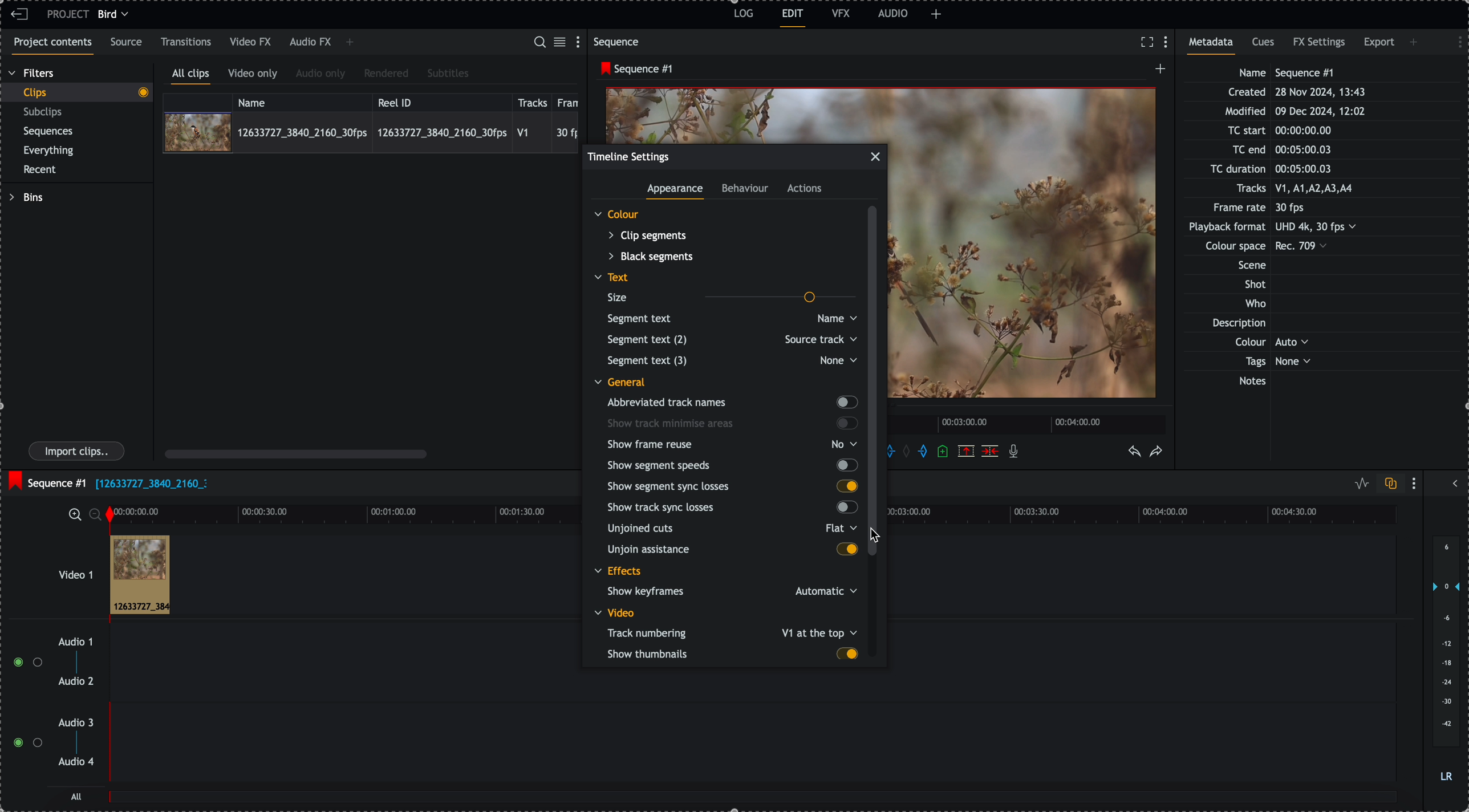 The height and width of the screenshot is (812, 1469). What do you see at coordinates (128, 43) in the screenshot?
I see `source` at bounding box center [128, 43].